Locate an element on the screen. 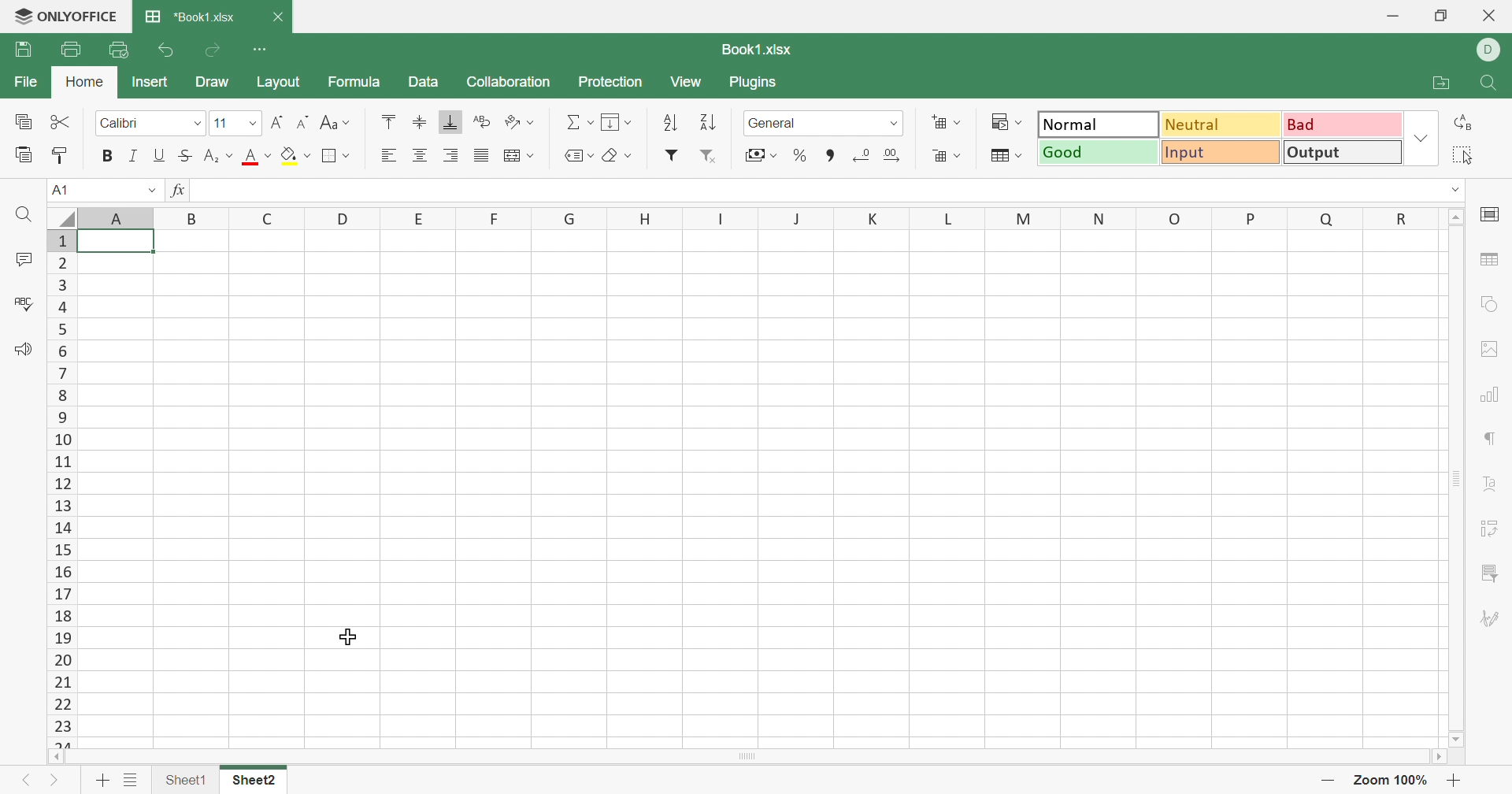 The width and height of the screenshot is (1512, 794). Conditional formatting is located at coordinates (1004, 122).